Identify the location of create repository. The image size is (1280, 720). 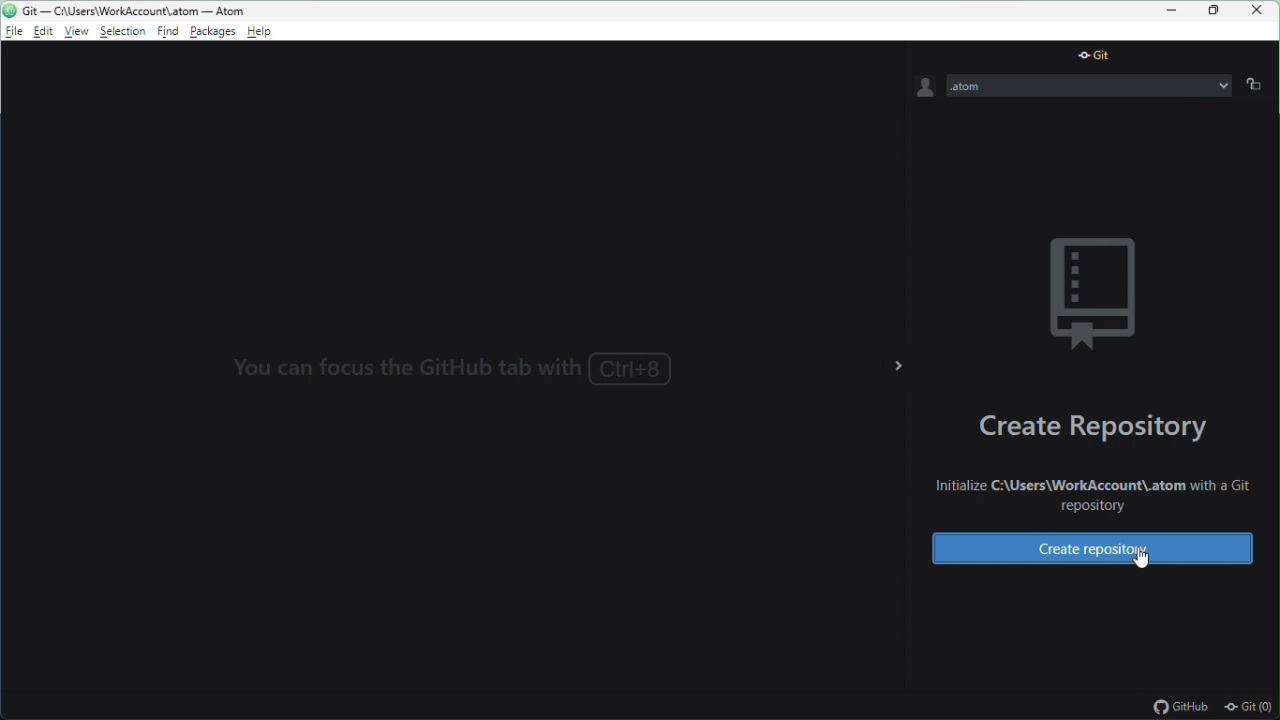
(1092, 548).